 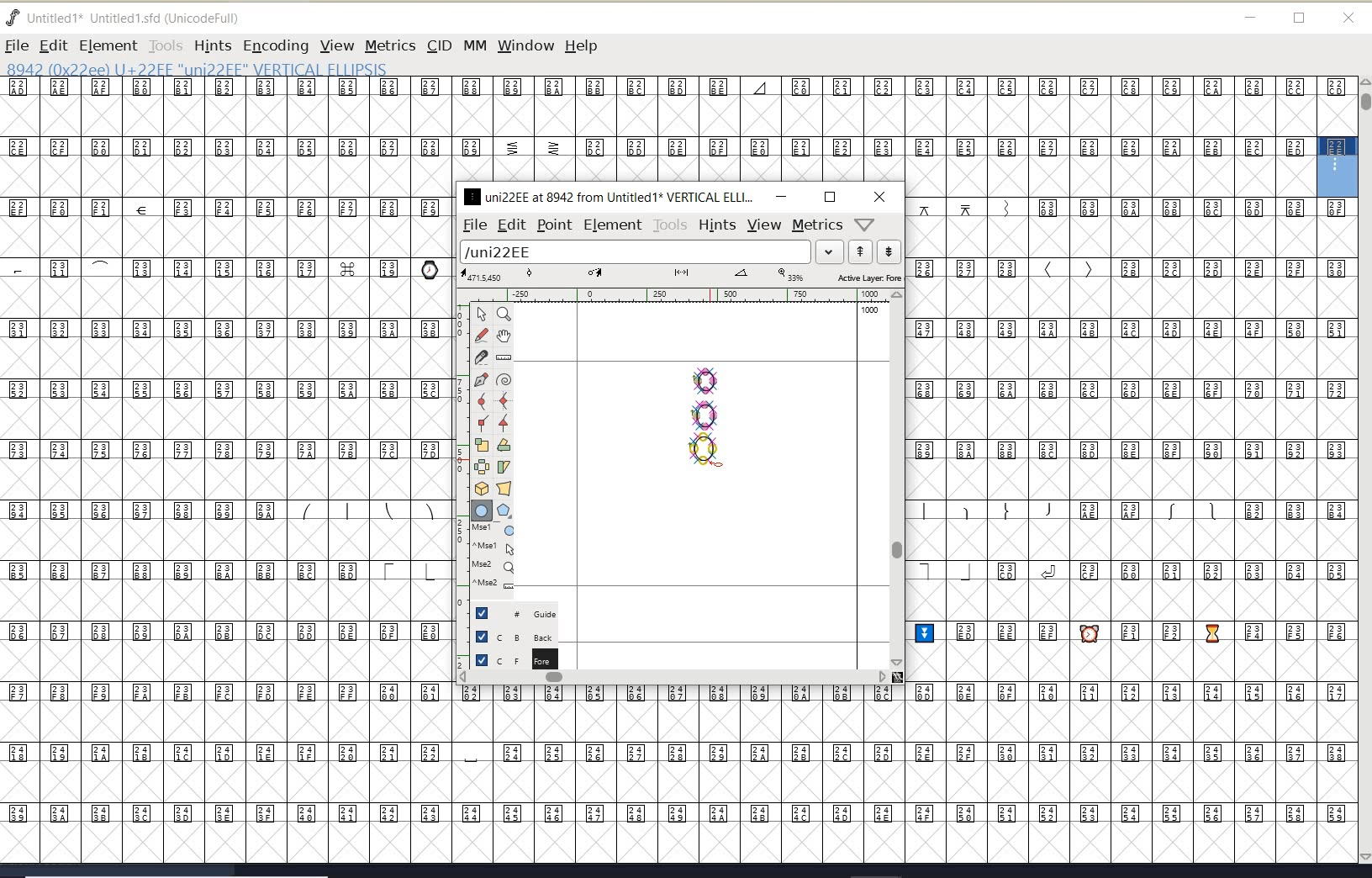 What do you see at coordinates (502, 400) in the screenshot?
I see `add a curve point always either horizontal or vertical` at bounding box center [502, 400].